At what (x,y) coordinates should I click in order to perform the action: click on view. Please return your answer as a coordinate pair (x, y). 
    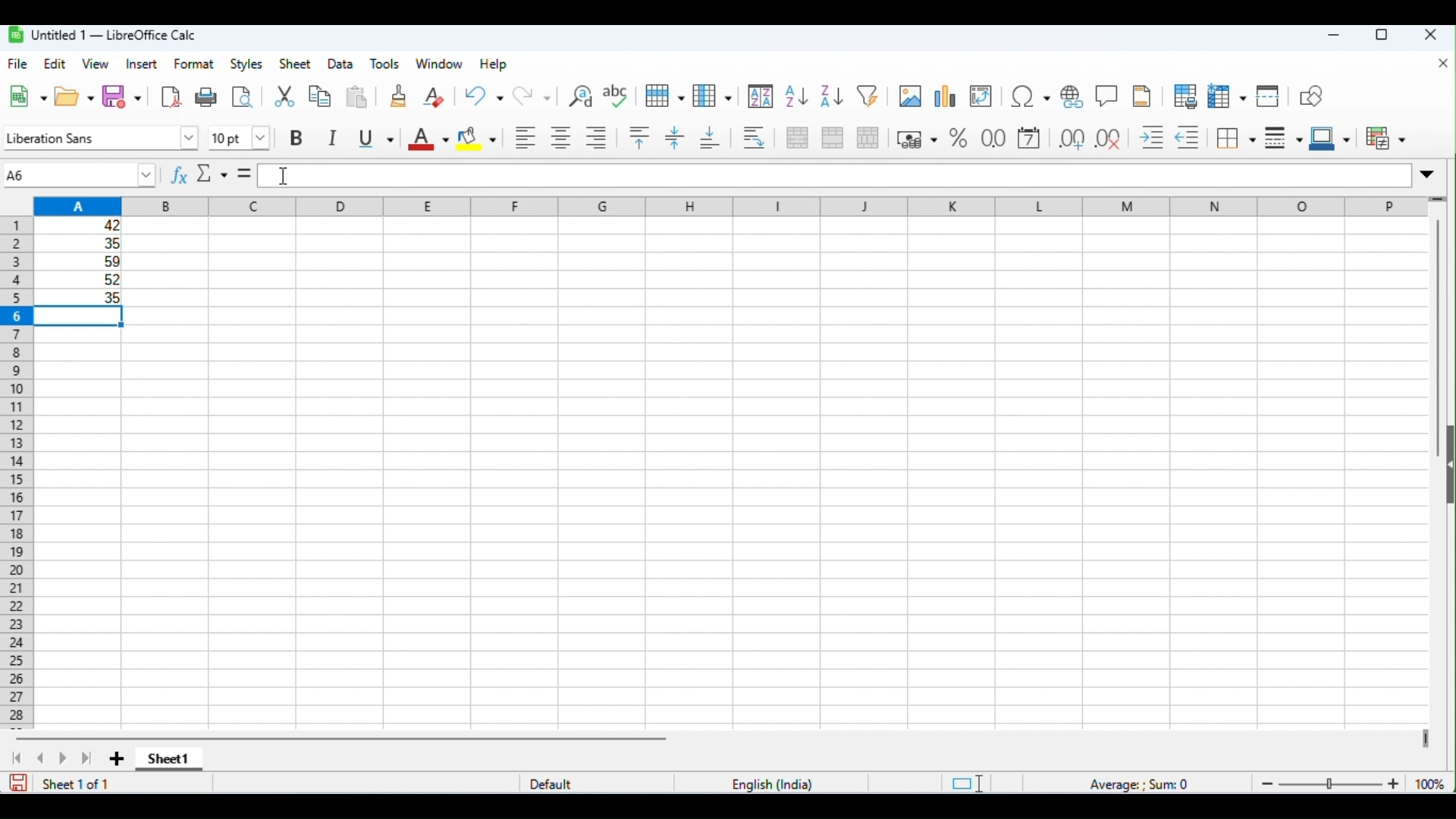
    Looking at the image, I should click on (96, 64).